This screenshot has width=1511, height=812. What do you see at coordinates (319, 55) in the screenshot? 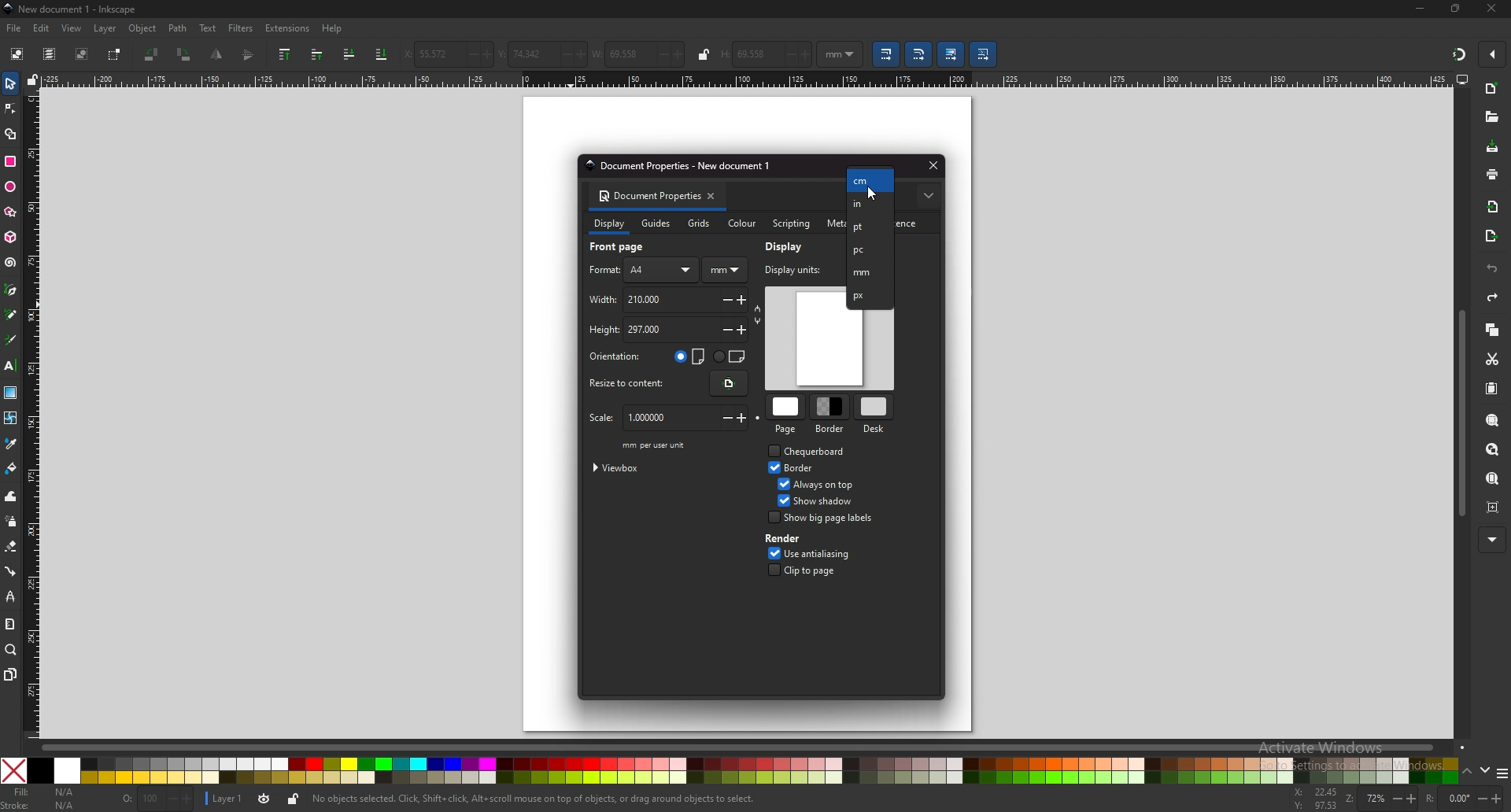
I see `raise selection one step` at bounding box center [319, 55].